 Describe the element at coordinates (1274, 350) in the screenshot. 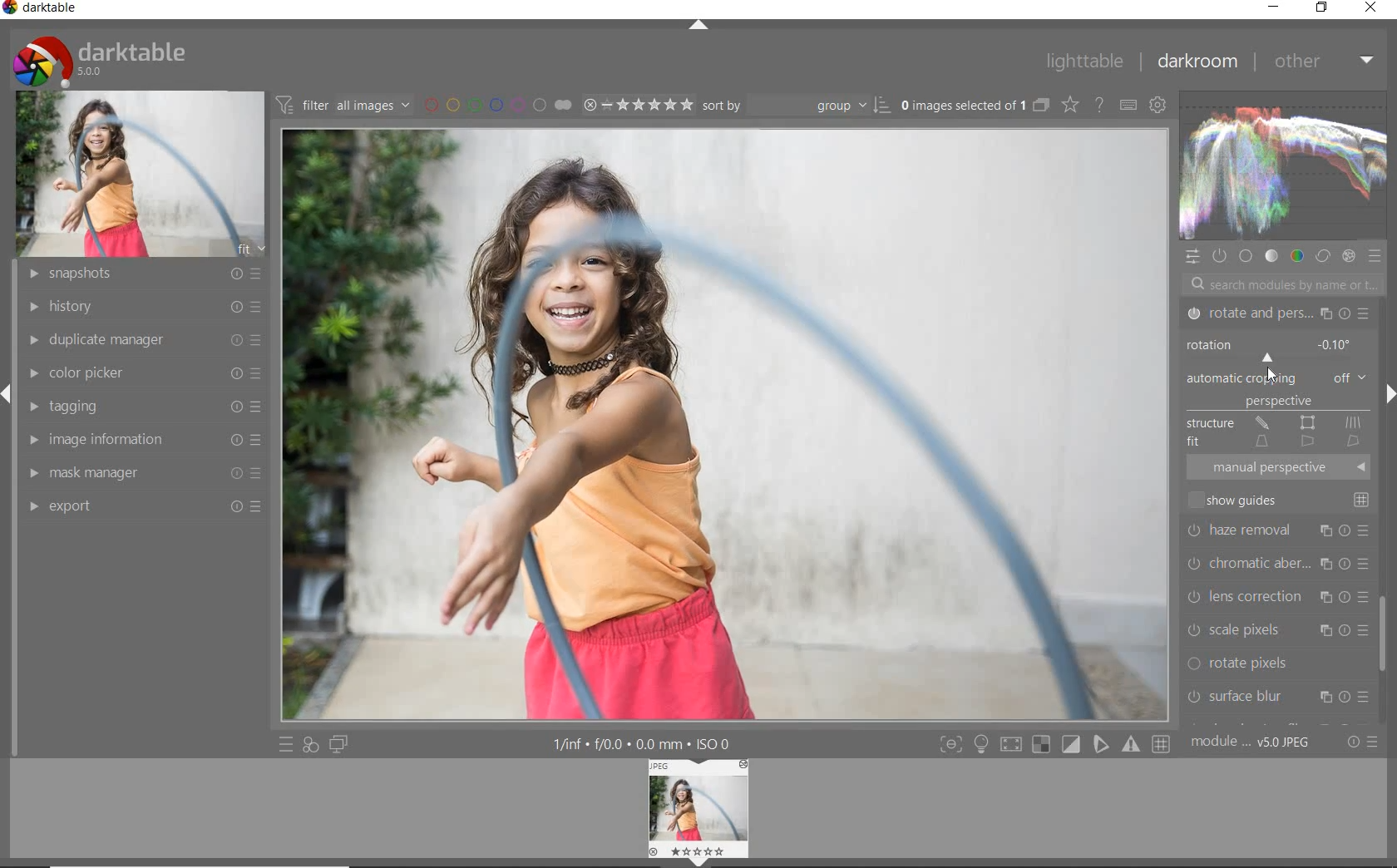

I see `ROTATION` at that location.